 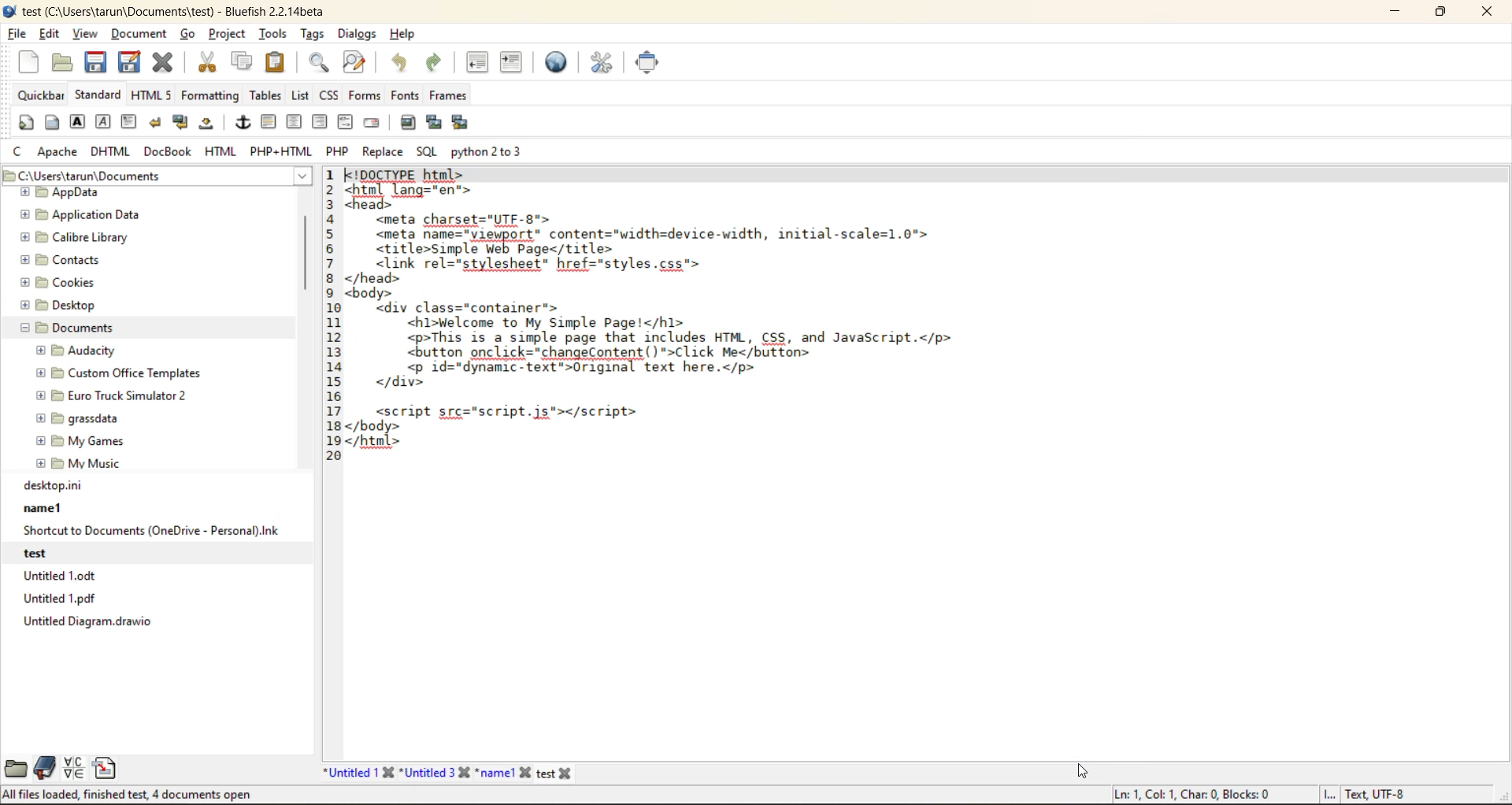 I want to click on line number, so click(x=328, y=462).